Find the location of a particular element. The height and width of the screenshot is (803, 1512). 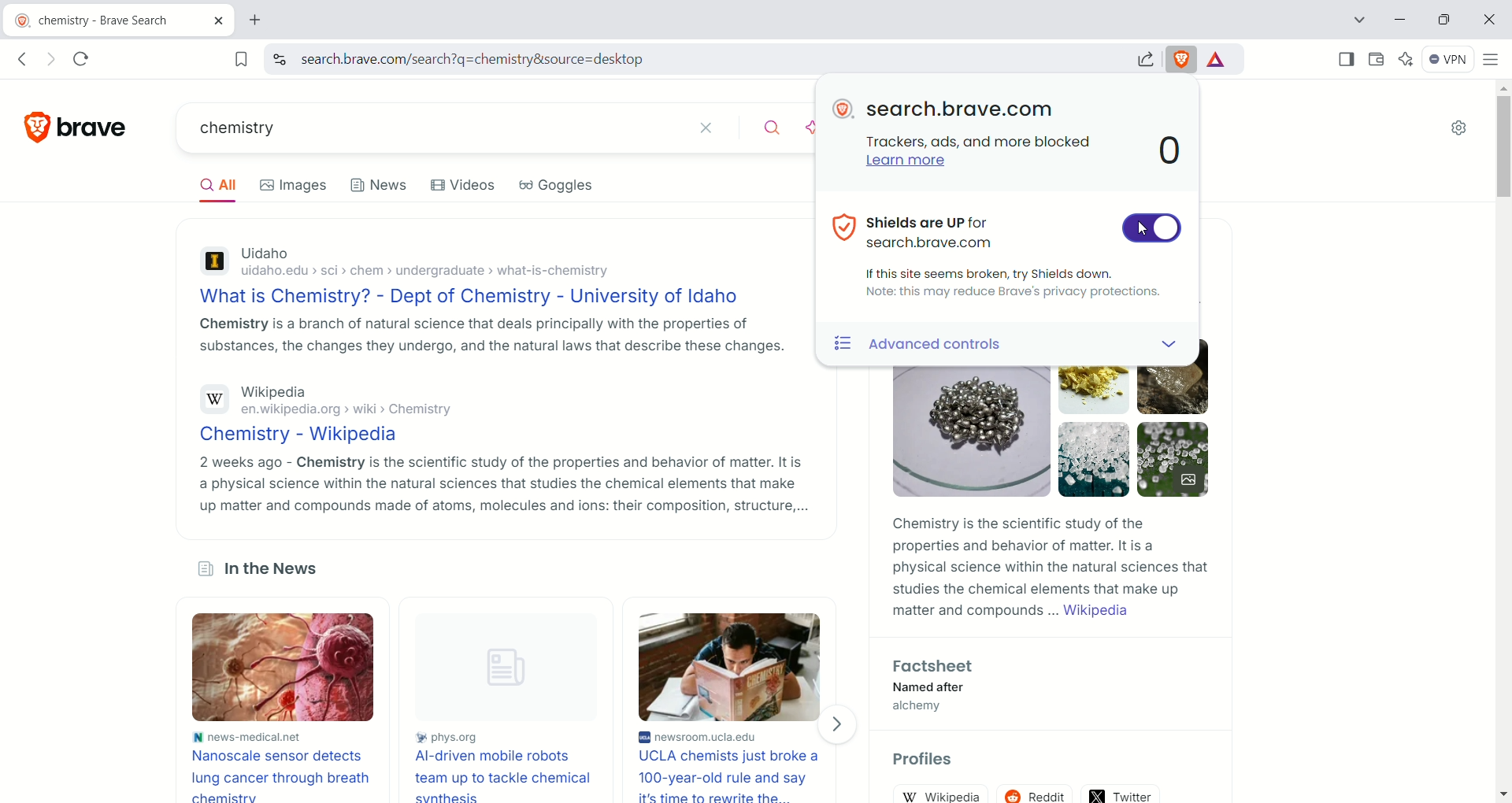

news-medical.net is located at coordinates (286, 735).